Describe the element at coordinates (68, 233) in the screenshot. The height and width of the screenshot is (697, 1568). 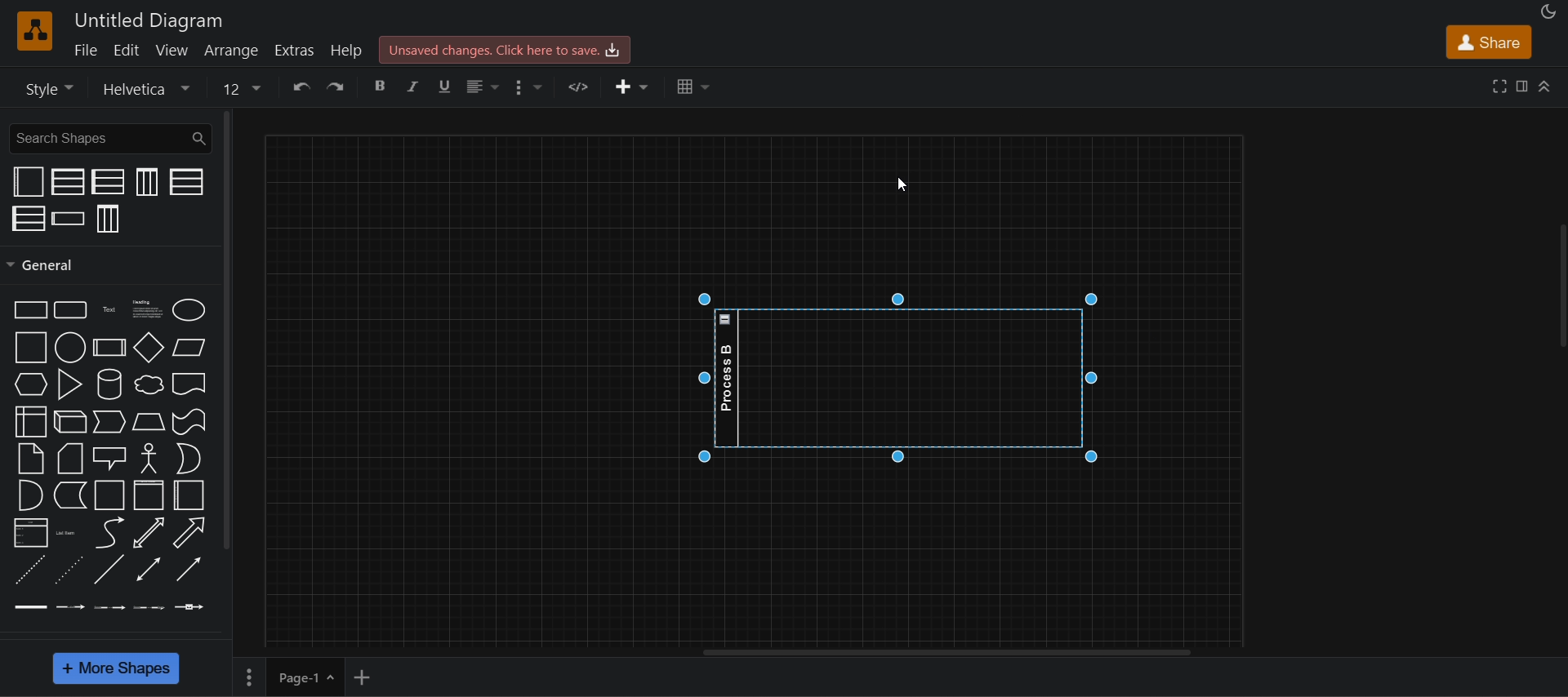
I see `click` at that location.